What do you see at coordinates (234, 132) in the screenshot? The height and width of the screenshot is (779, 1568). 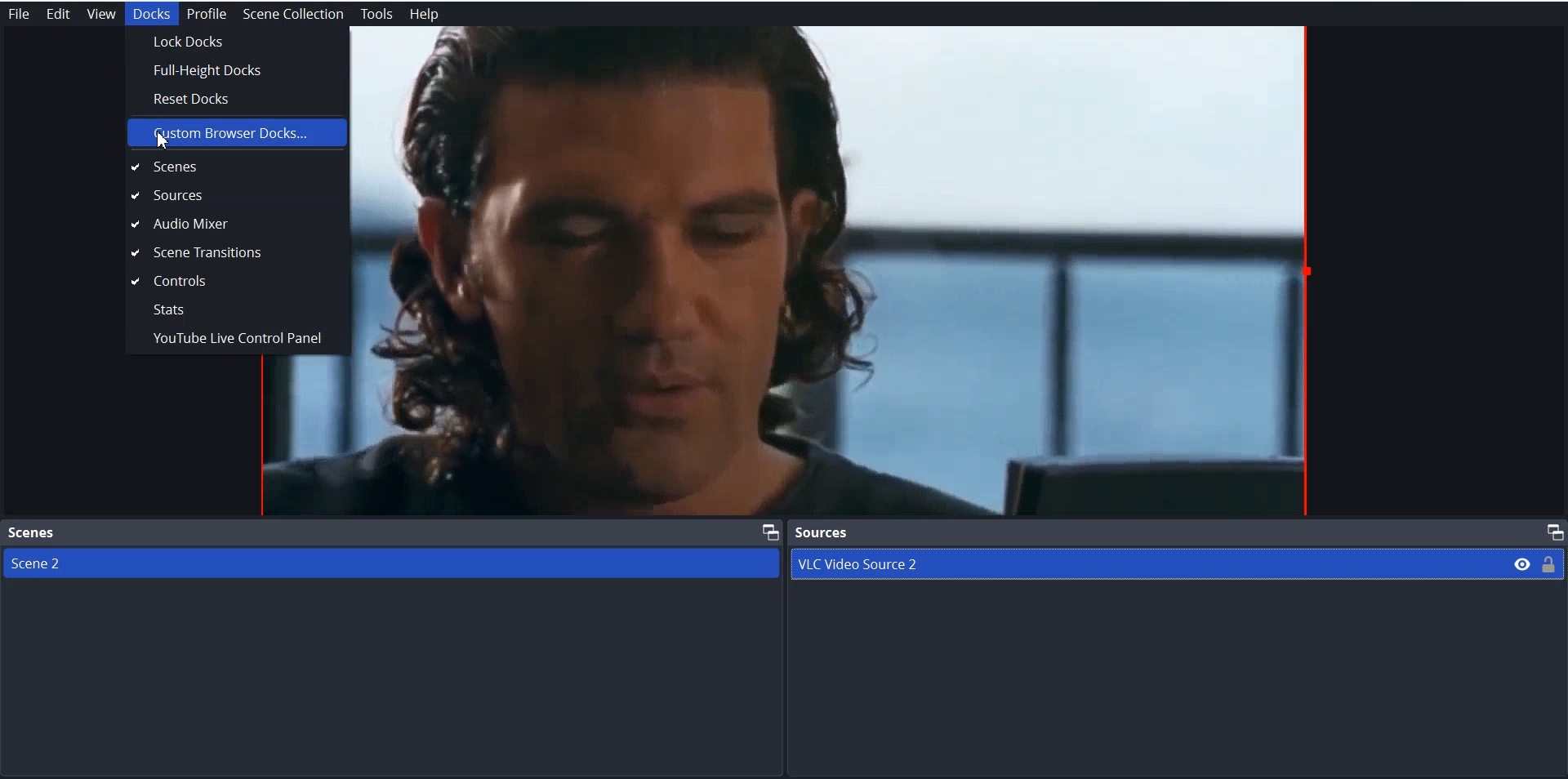 I see `Custom Browser Docks` at bounding box center [234, 132].